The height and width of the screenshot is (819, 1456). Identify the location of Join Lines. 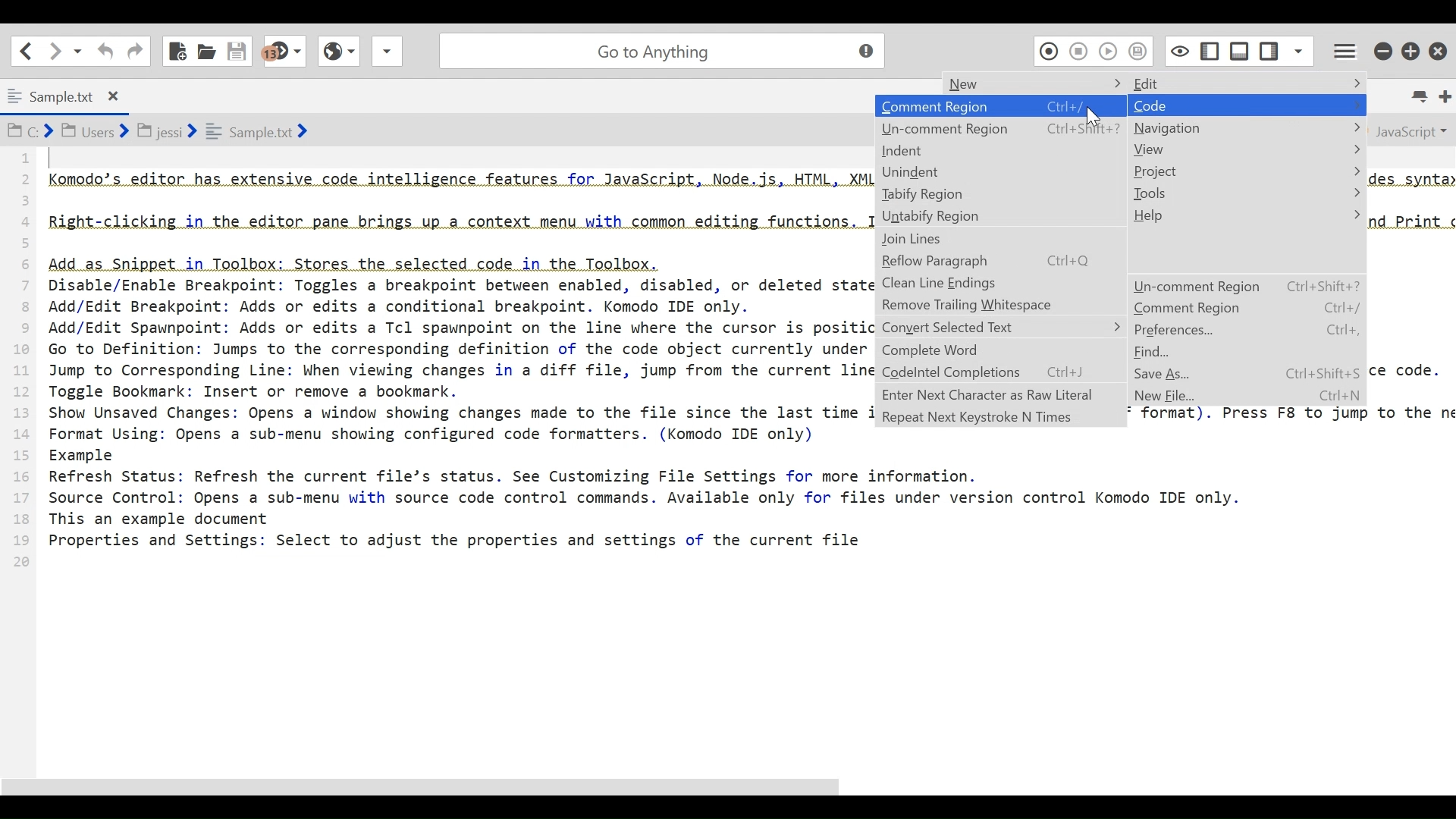
(998, 240).